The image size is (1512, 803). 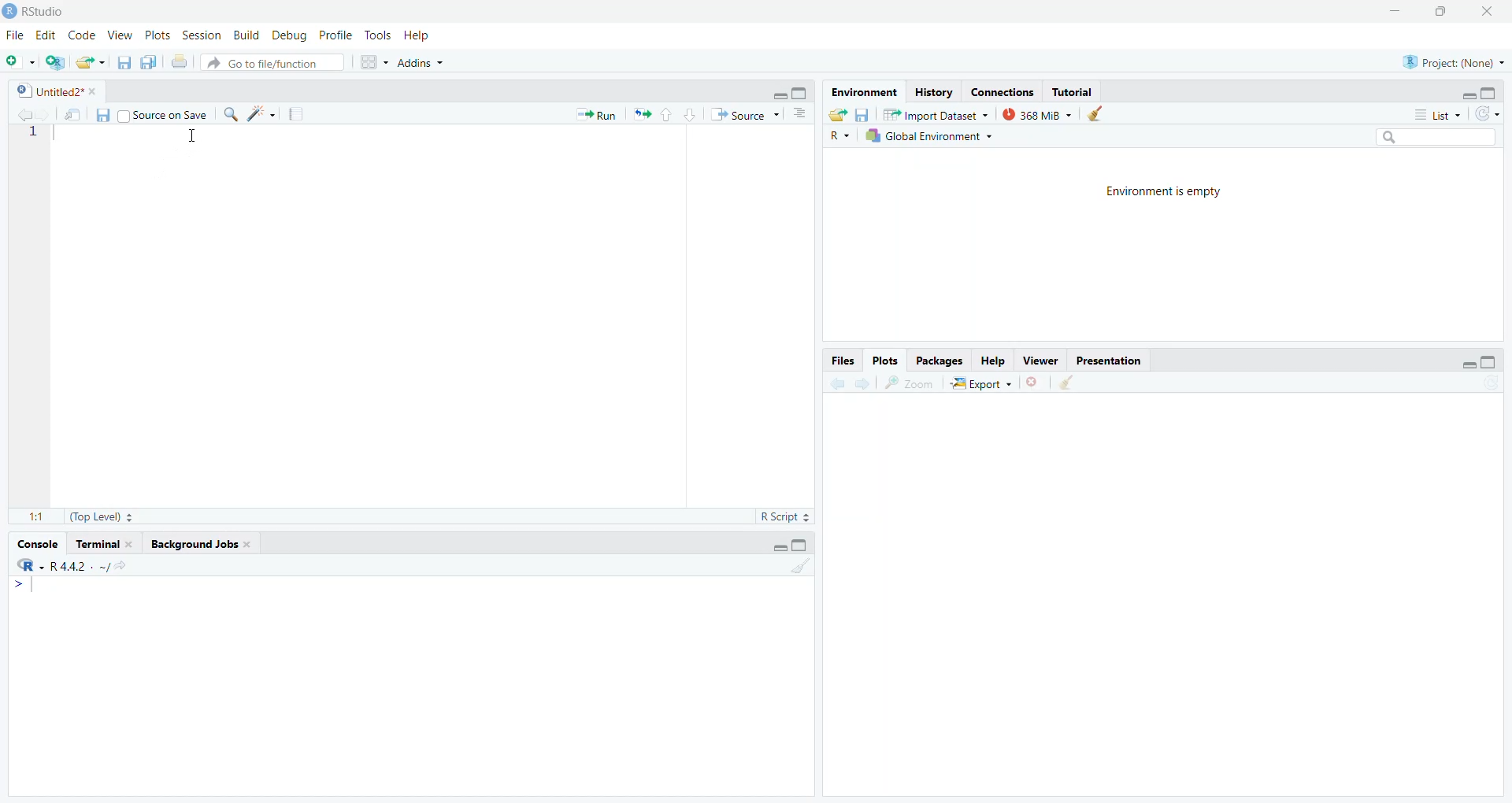 I want to click on clear, so click(x=1067, y=383).